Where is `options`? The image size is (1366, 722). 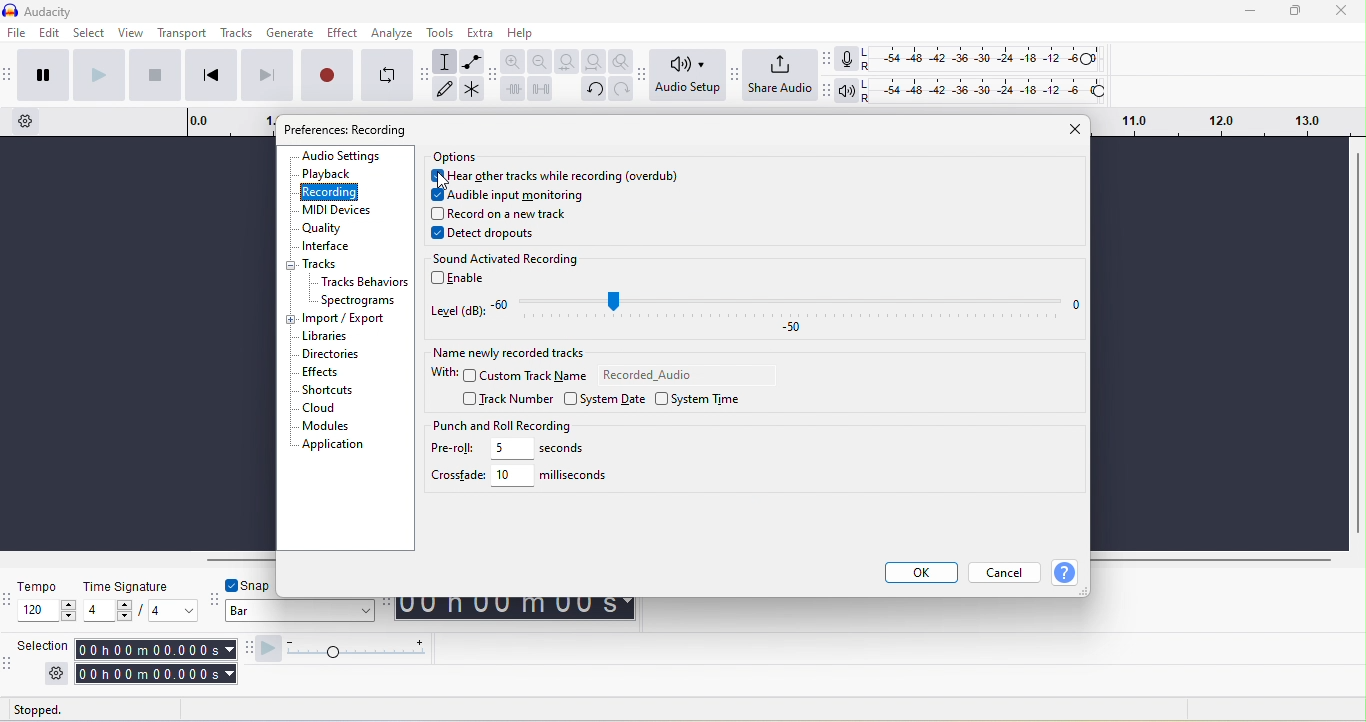
options is located at coordinates (451, 157).